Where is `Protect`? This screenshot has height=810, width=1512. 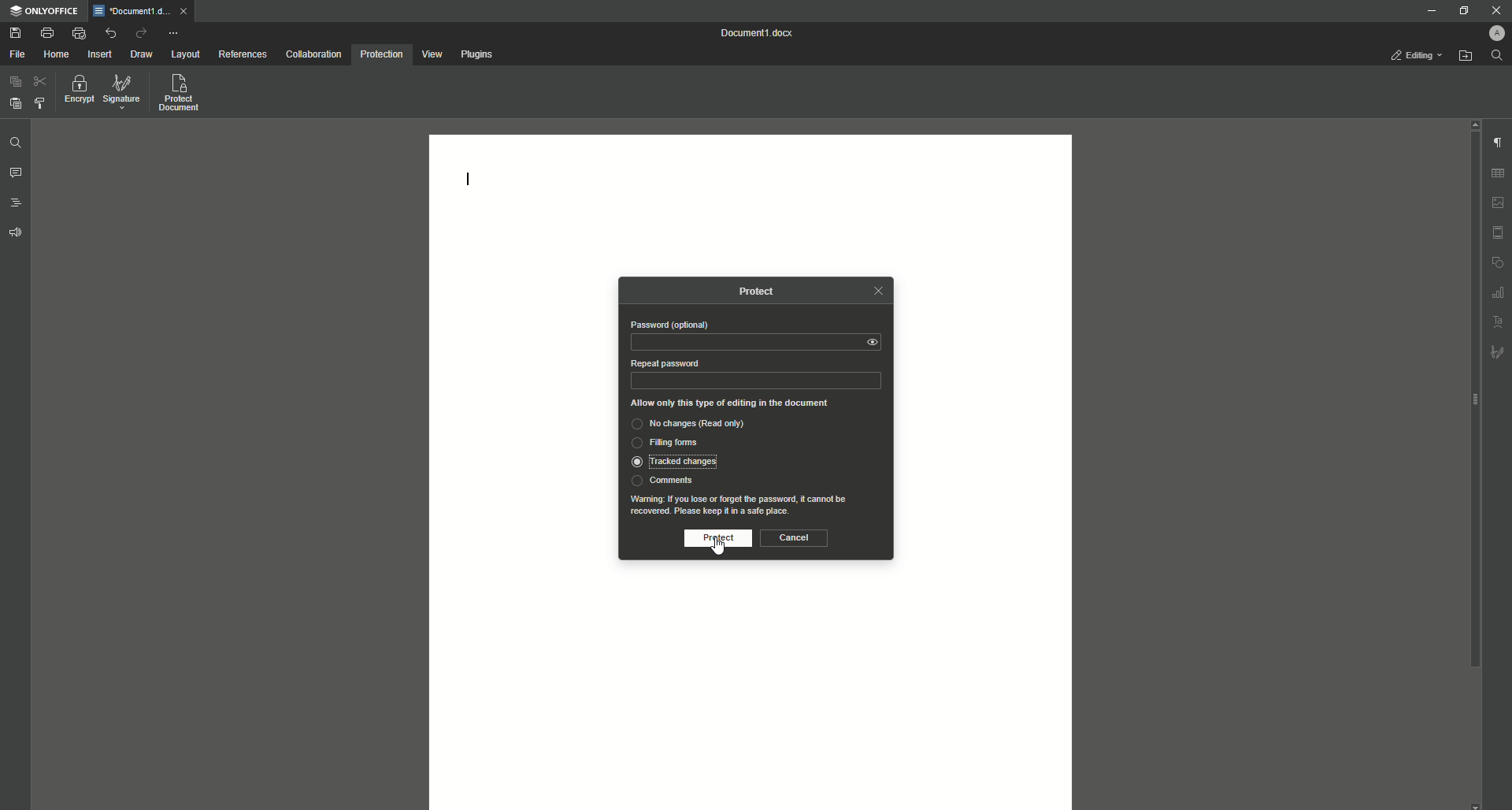 Protect is located at coordinates (754, 292).